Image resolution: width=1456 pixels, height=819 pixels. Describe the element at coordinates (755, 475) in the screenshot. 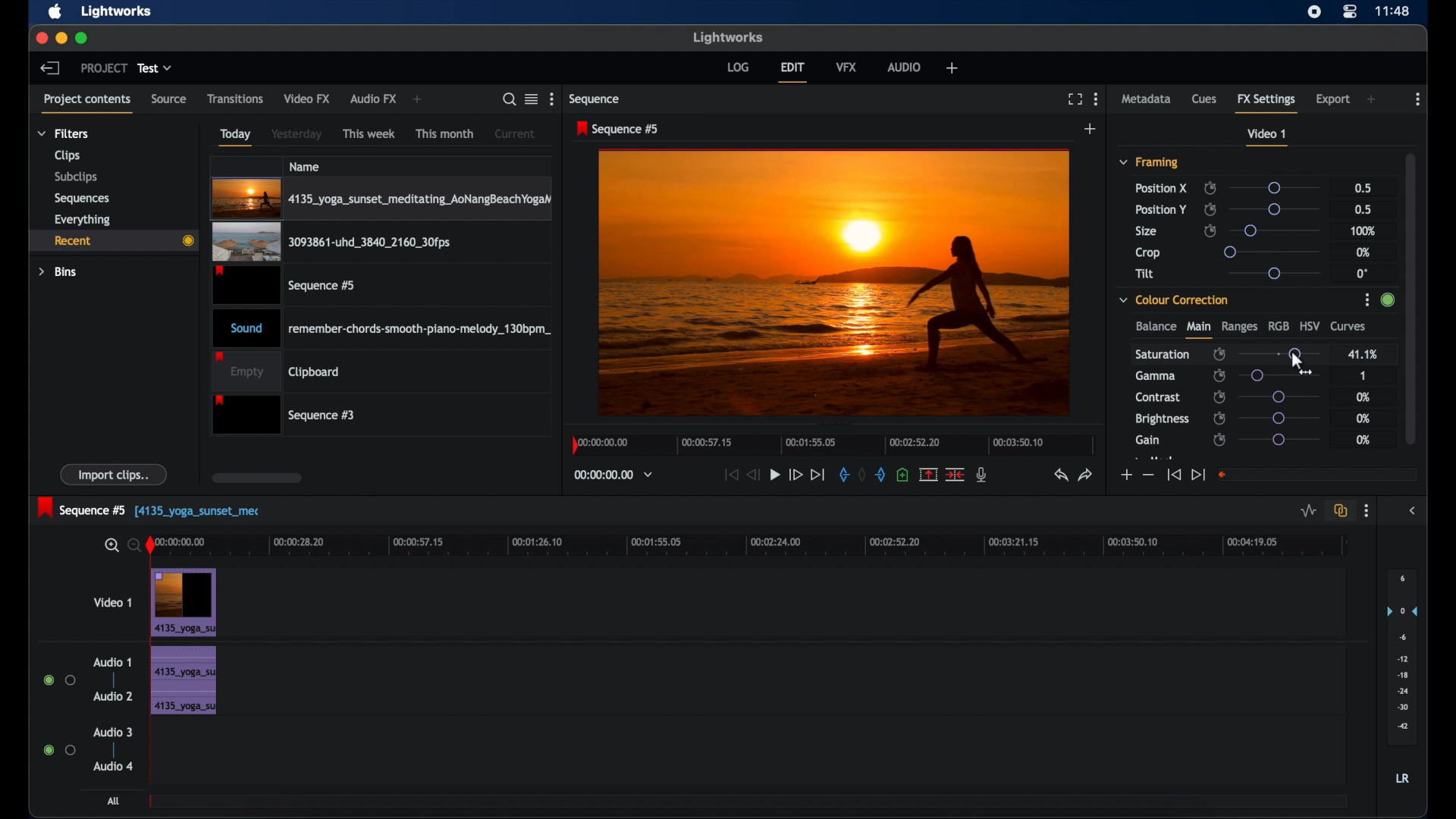

I see `rewind` at that location.